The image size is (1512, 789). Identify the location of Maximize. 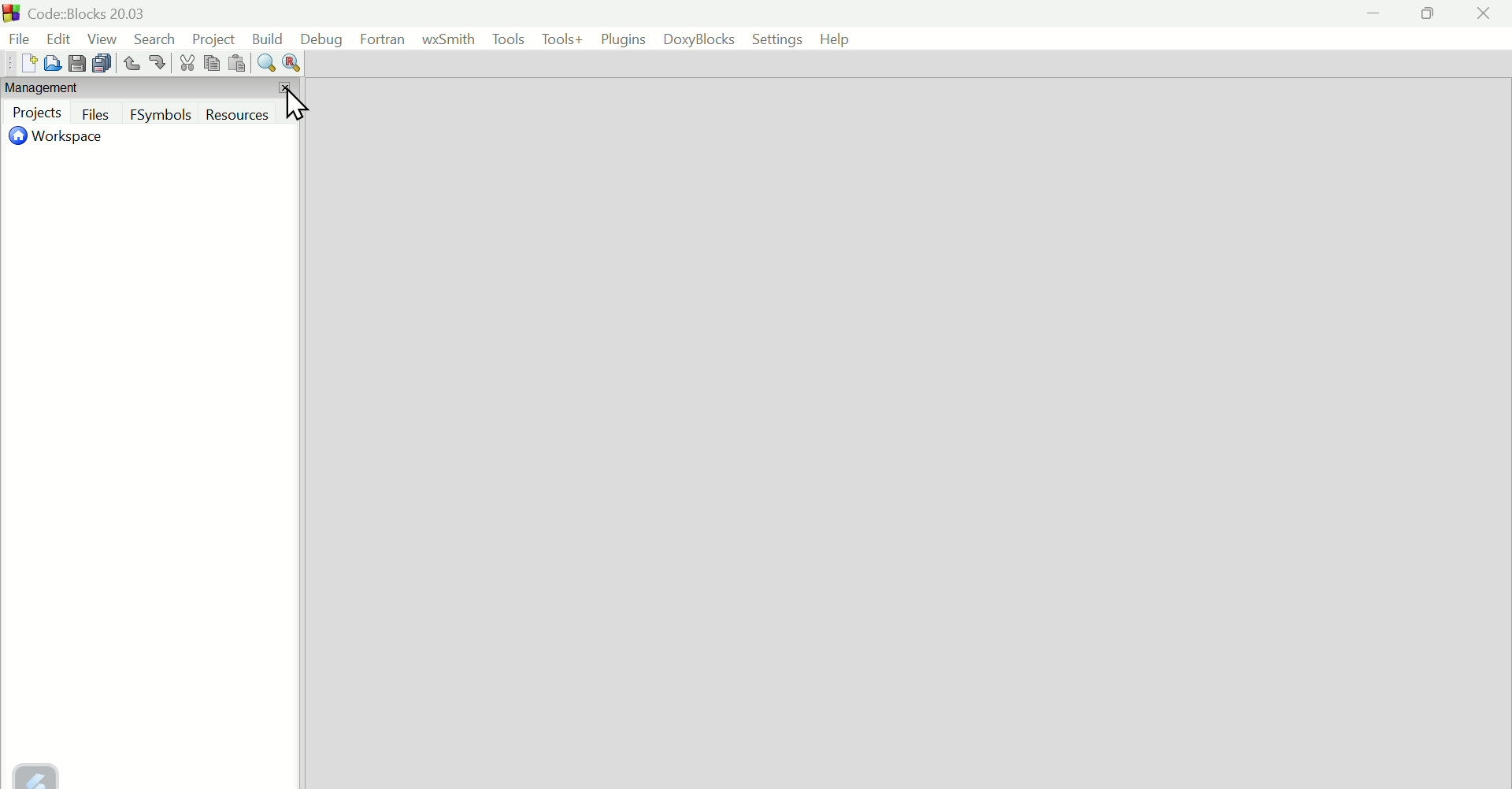
(1429, 13).